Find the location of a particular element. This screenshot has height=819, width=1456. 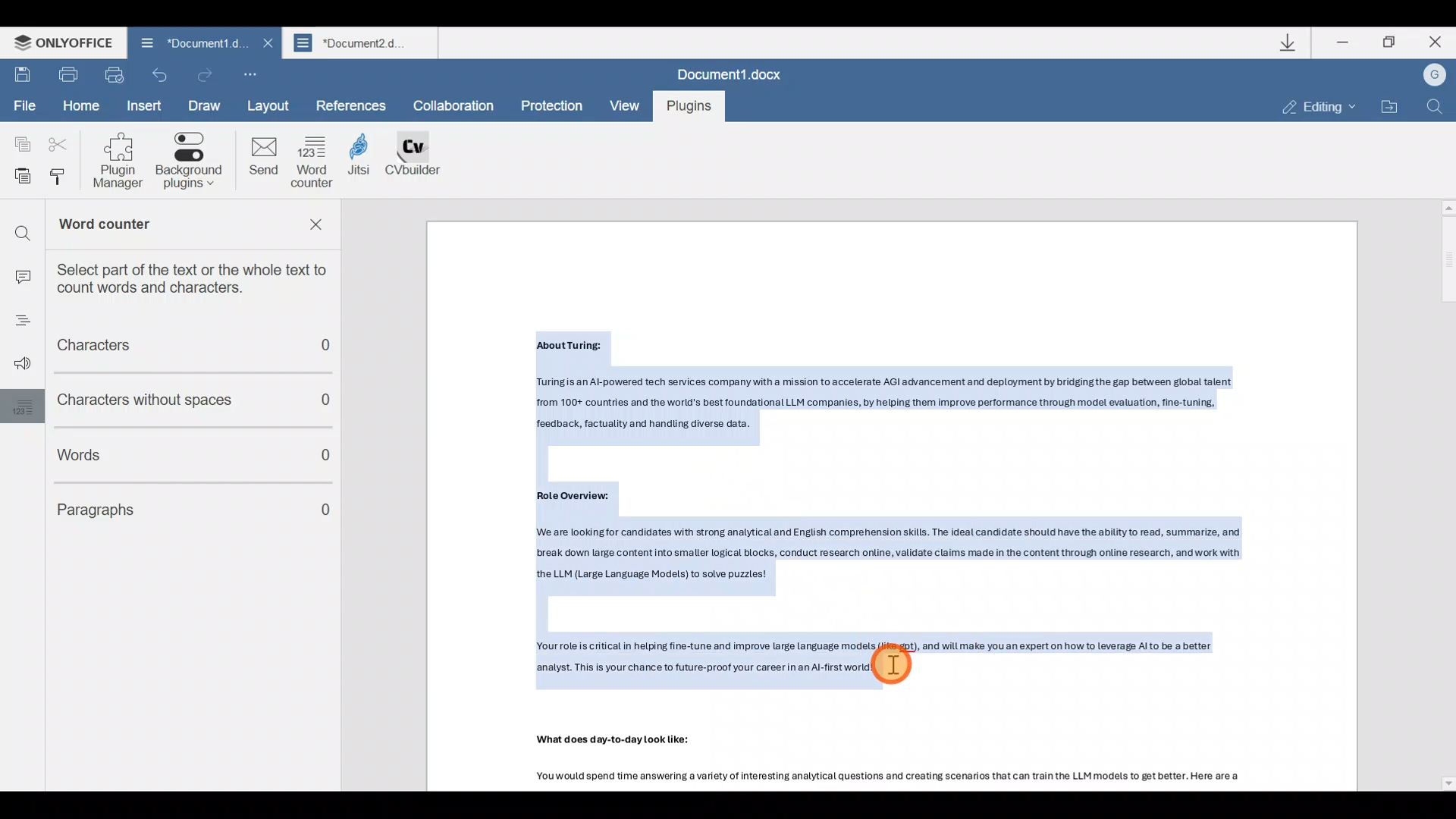

Save is located at coordinates (22, 76).